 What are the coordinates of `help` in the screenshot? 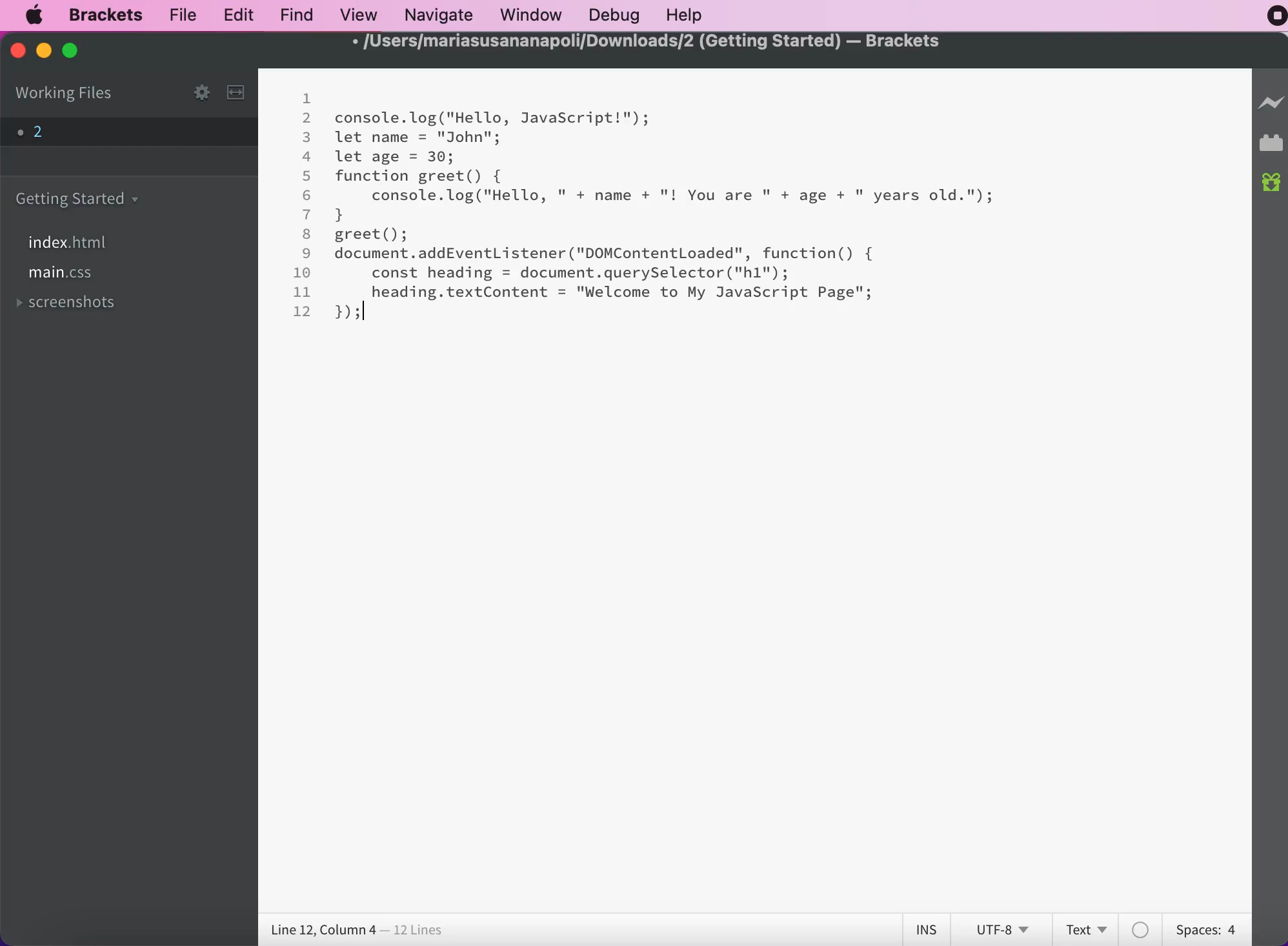 It's located at (689, 15).